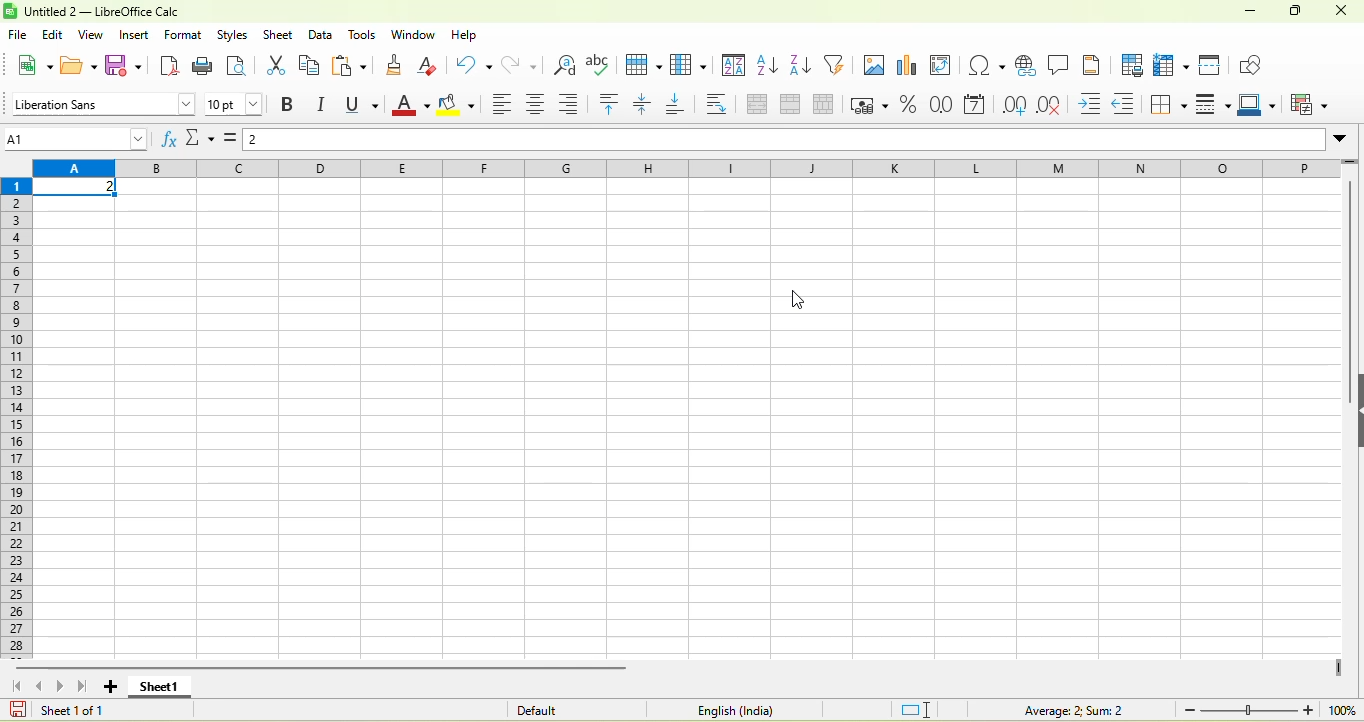 The image size is (1364, 722). Describe the element at coordinates (1351, 166) in the screenshot. I see `more rows` at that location.